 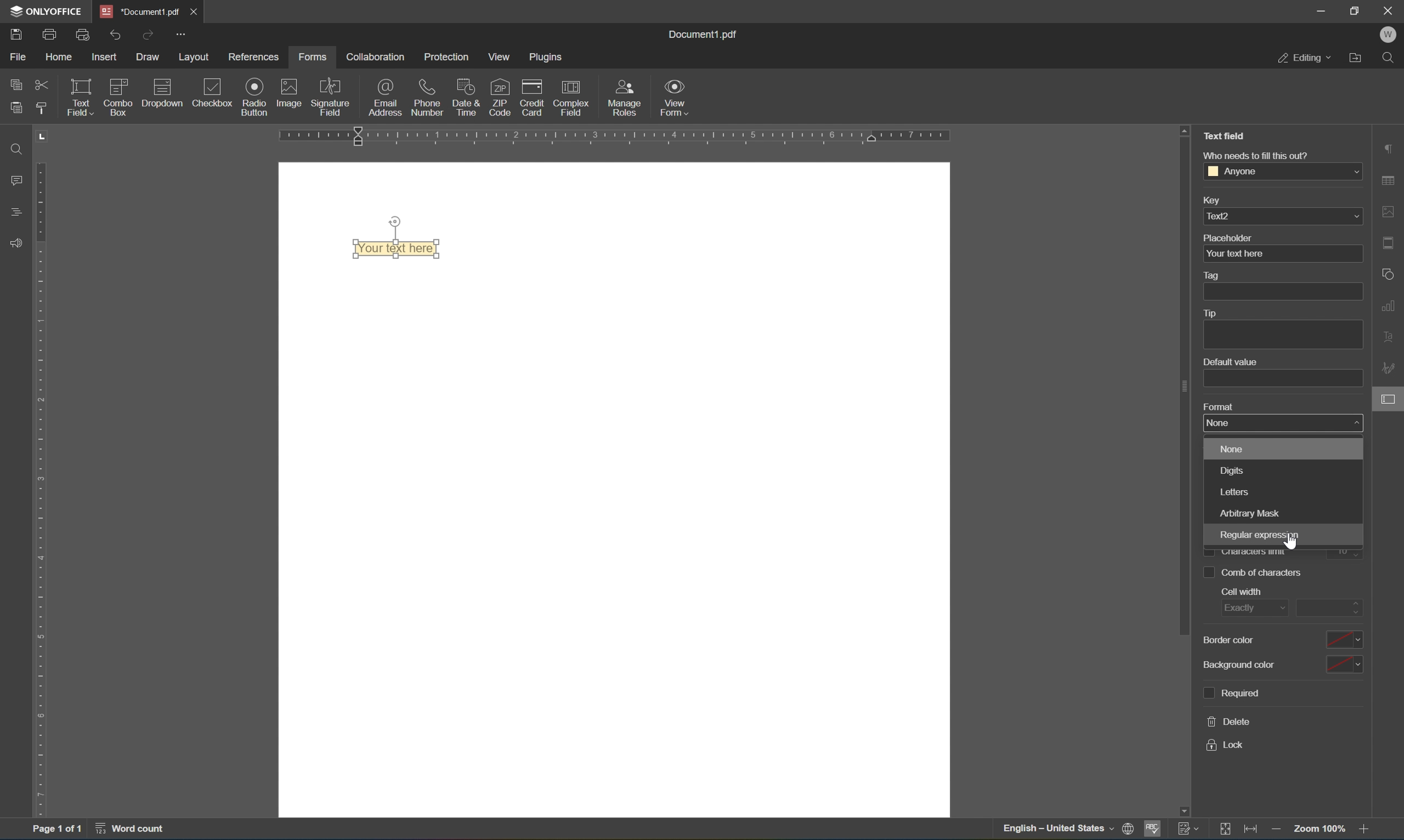 What do you see at coordinates (78, 96) in the screenshot?
I see `text field` at bounding box center [78, 96].